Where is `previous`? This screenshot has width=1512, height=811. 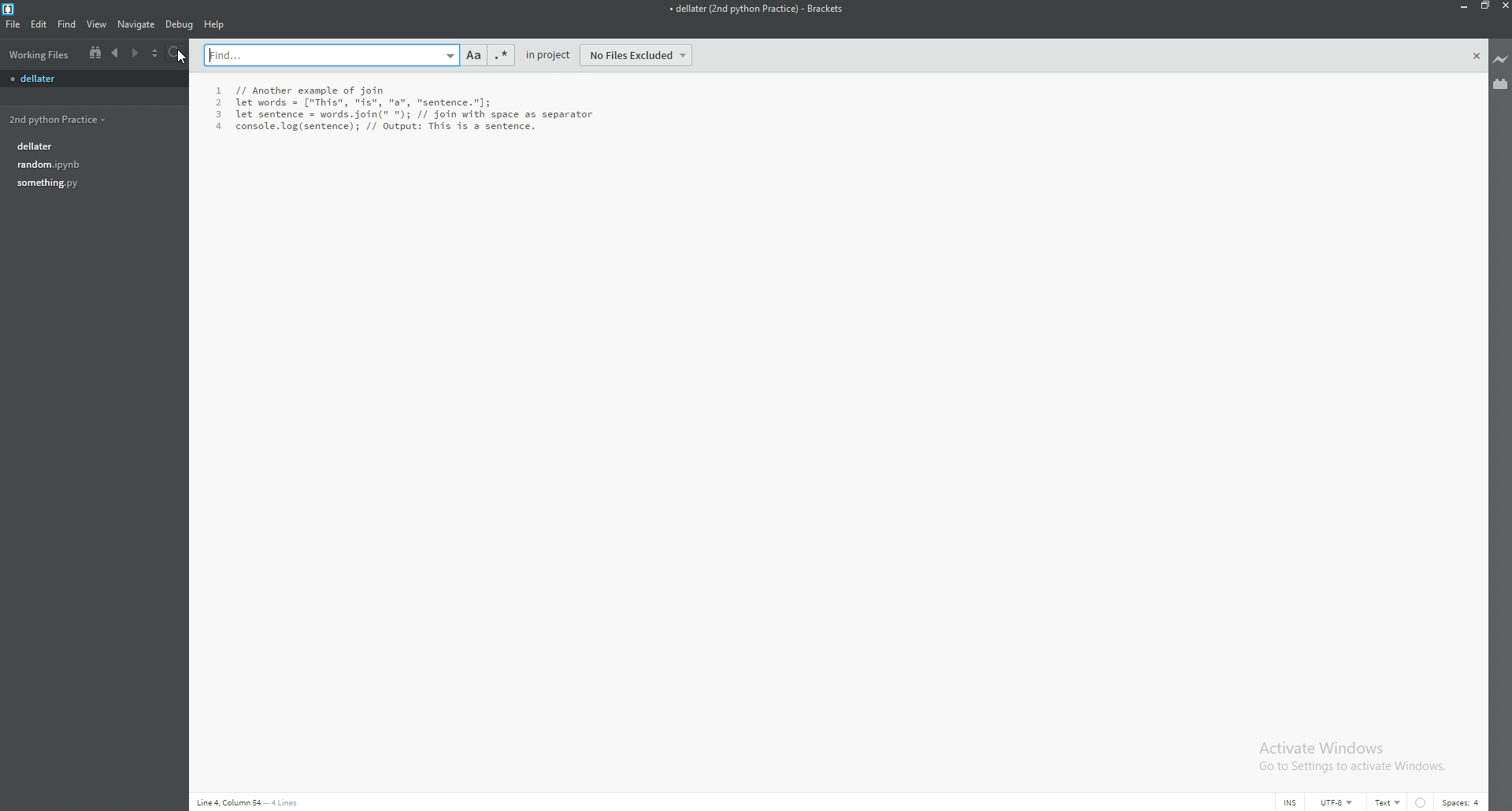 previous is located at coordinates (115, 53).